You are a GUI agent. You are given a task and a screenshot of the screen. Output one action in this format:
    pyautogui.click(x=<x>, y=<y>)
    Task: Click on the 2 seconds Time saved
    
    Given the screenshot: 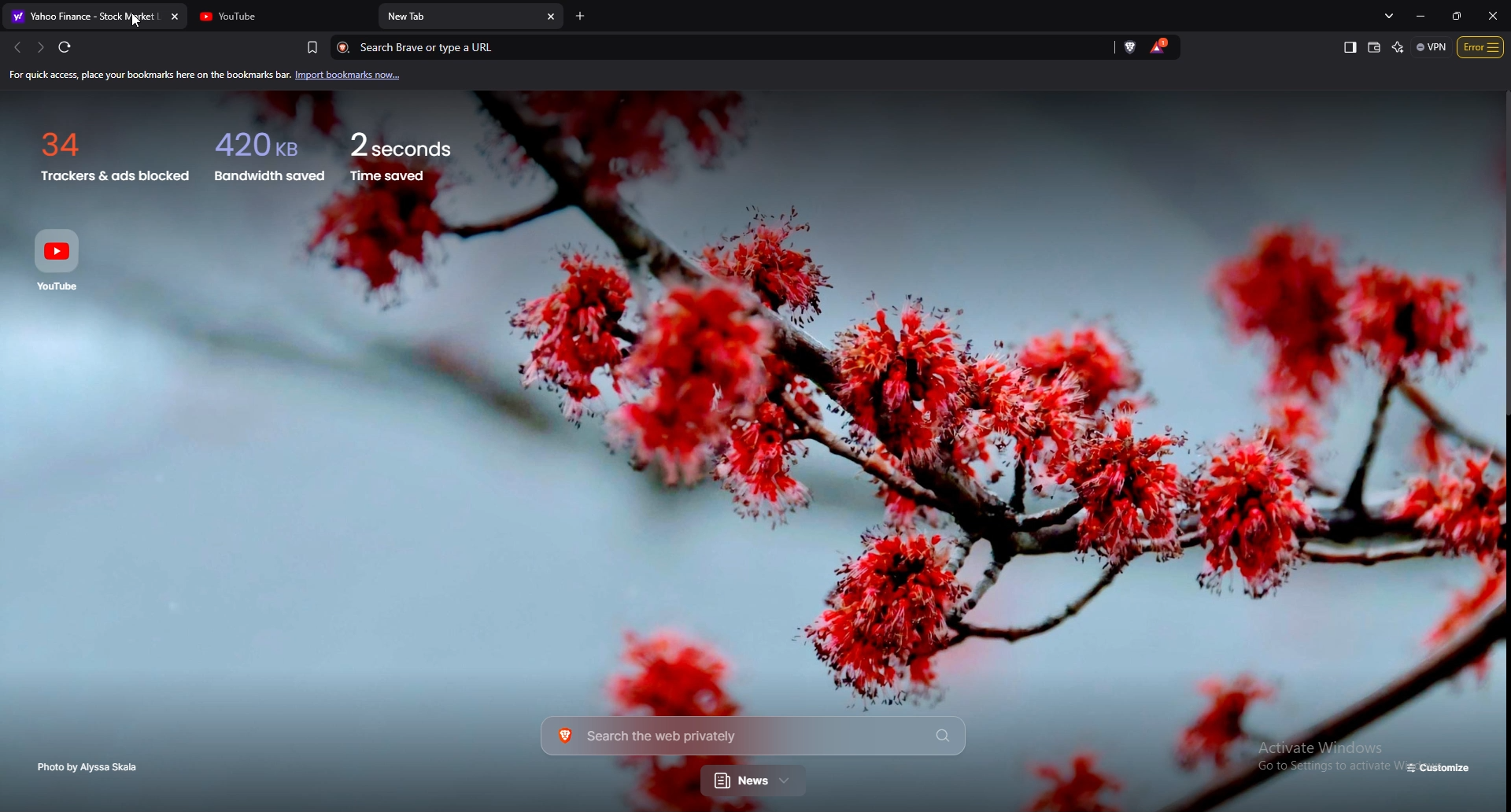 What is the action you would take?
    pyautogui.click(x=423, y=151)
    